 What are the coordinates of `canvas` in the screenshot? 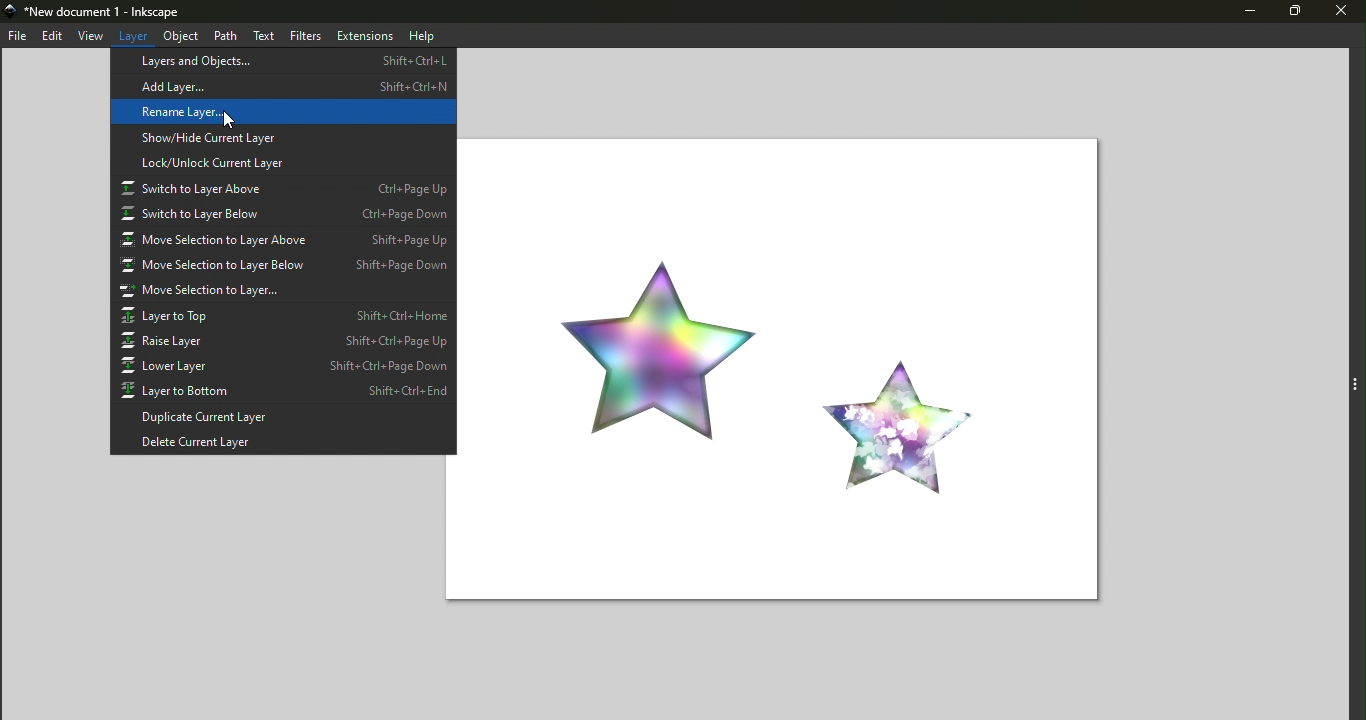 It's located at (784, 372).